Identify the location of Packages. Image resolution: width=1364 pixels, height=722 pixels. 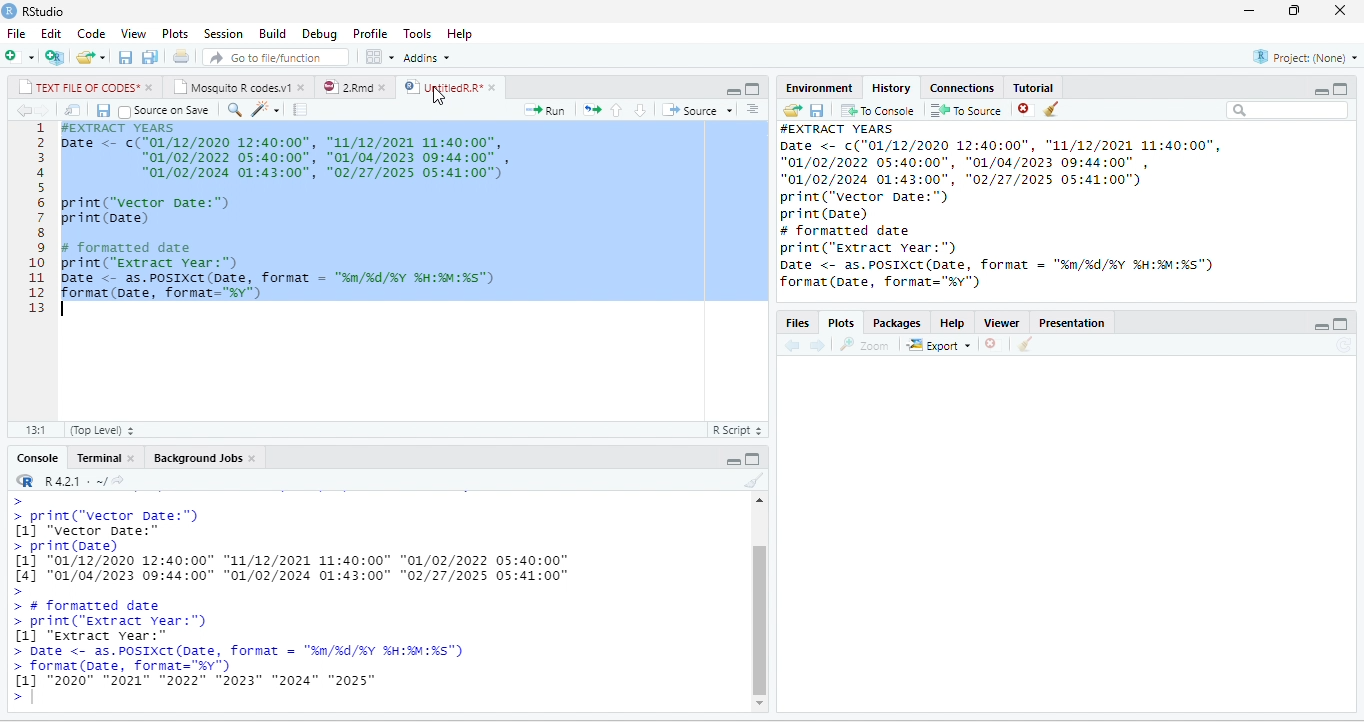
(898, 323).